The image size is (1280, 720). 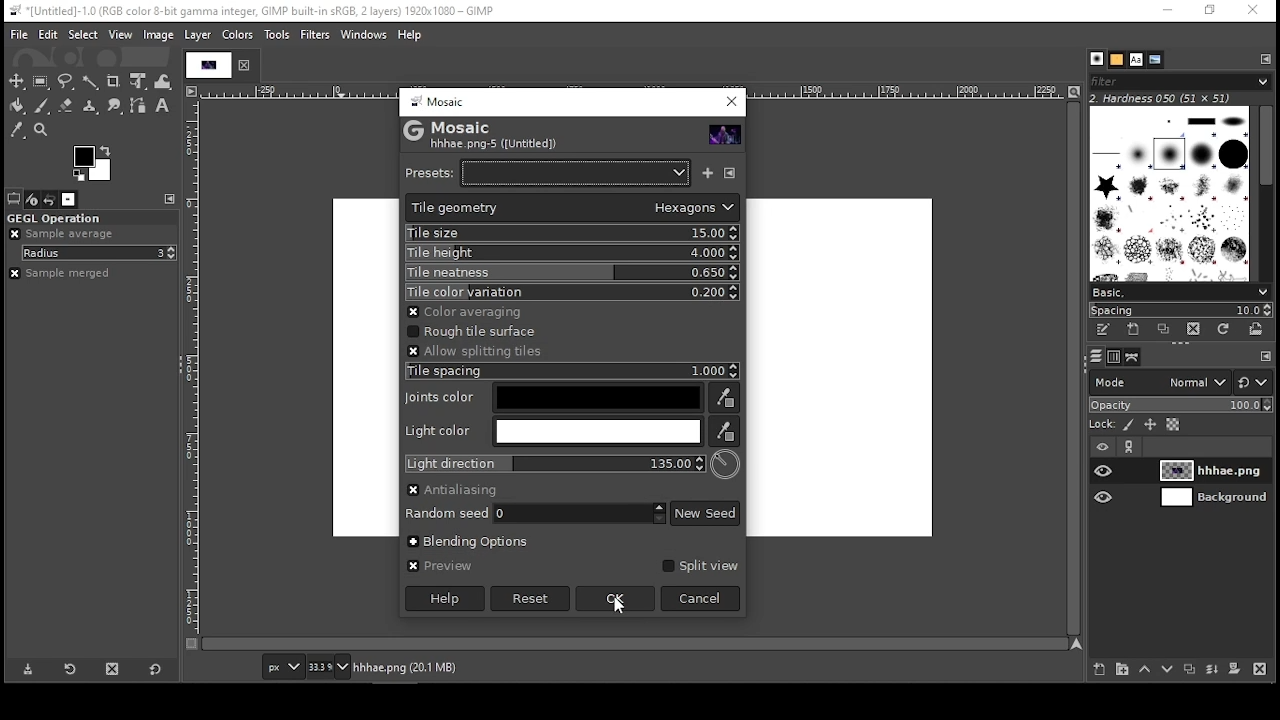 I want to click on spacing, so click(x=1179, y=310).